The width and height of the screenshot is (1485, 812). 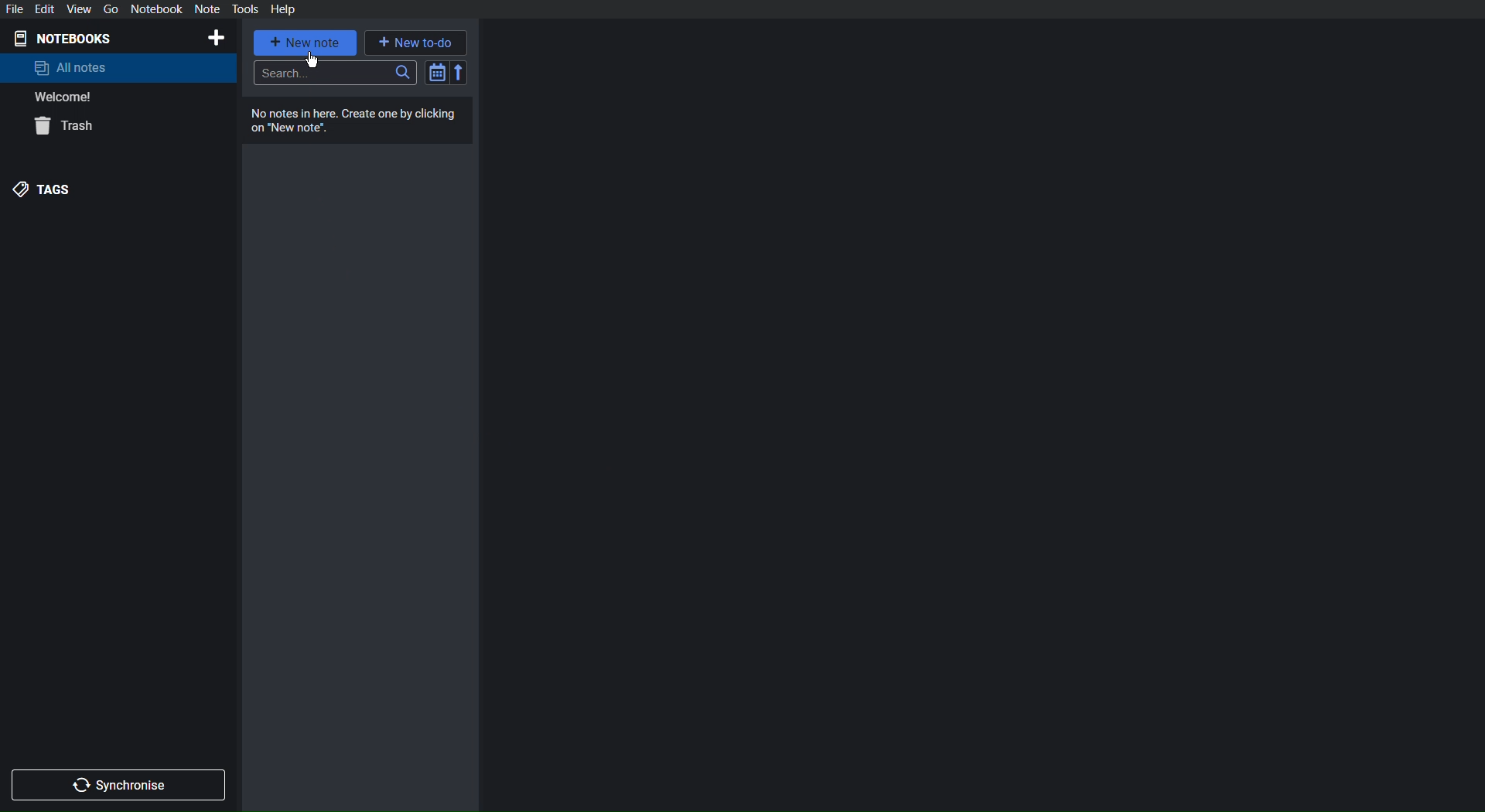 What do you see at coordinates (121, 783) in the screenshot?
I see `Synchronize` at bounding box center [121, 783].